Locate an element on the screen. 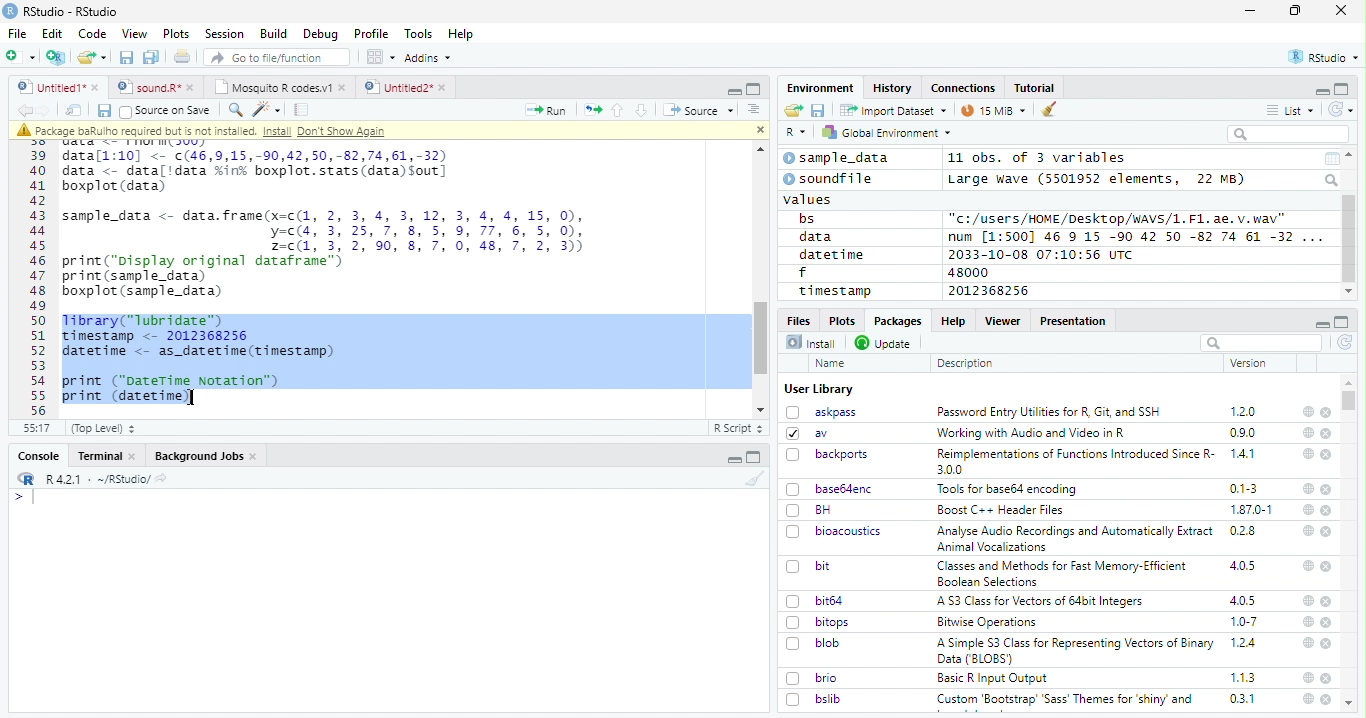  help is located at coordinates (1307, 453).